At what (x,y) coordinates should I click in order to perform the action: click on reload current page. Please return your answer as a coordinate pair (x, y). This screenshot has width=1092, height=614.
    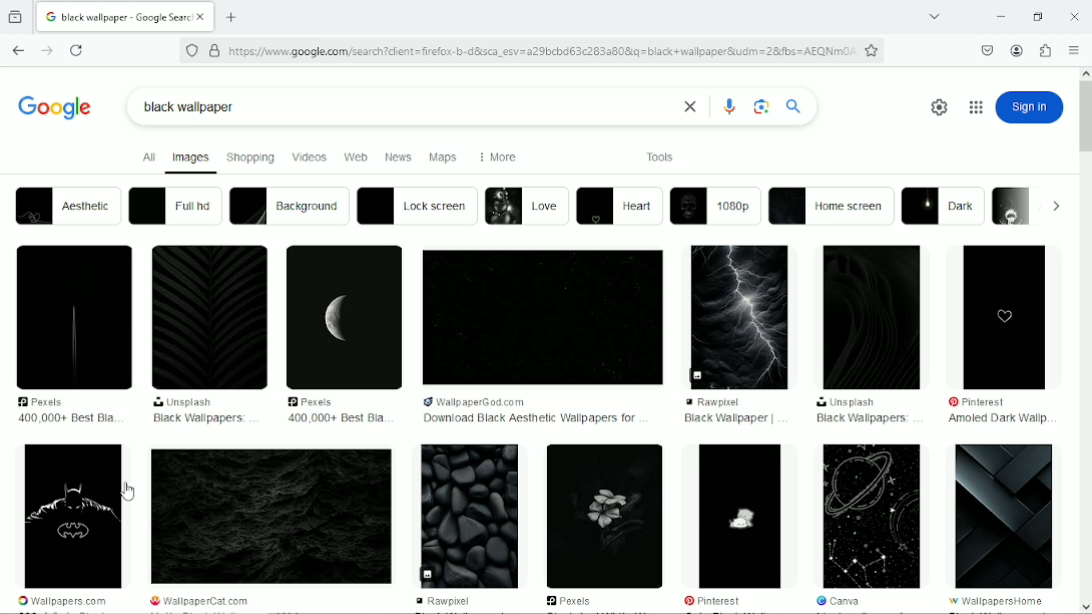
    Looking at the image, I should click on (76, 51).